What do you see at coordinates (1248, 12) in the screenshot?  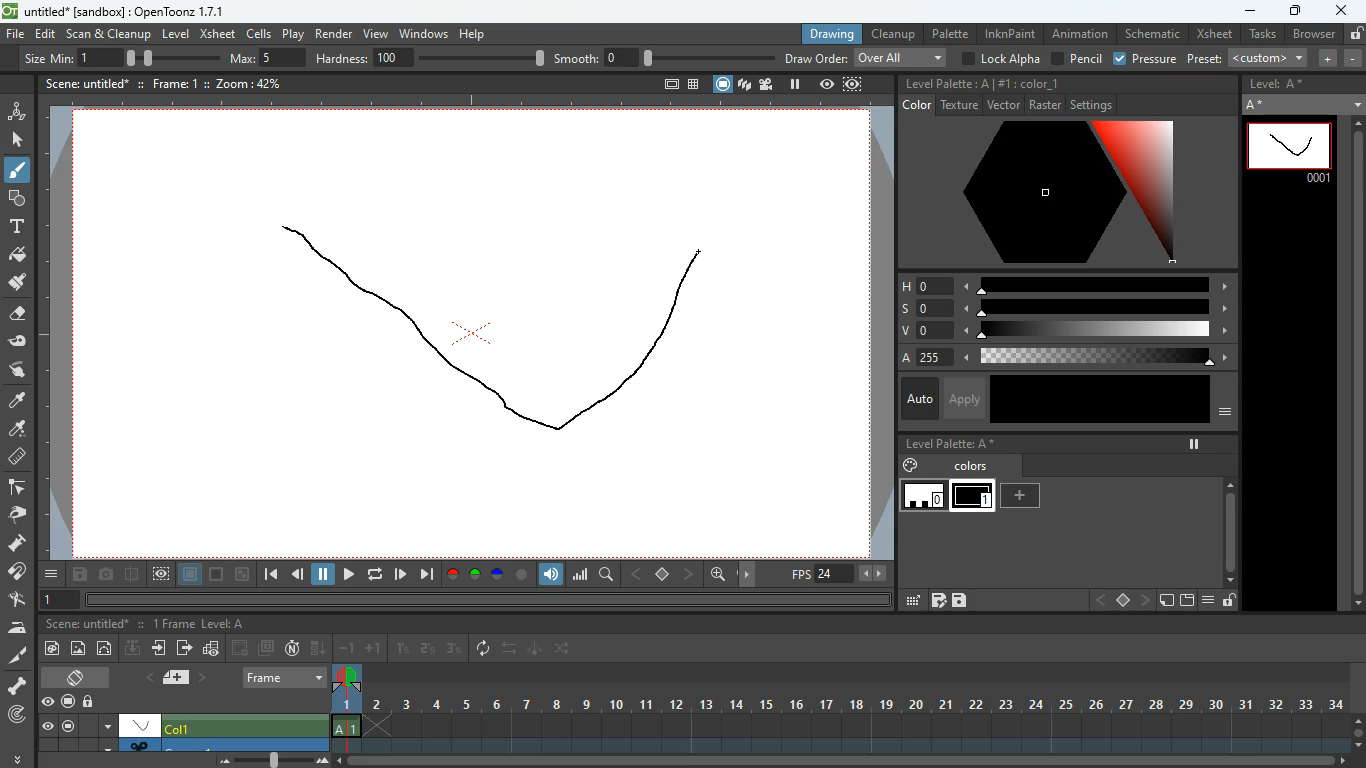 I see `minimize` at bounding box center [1248, 12].